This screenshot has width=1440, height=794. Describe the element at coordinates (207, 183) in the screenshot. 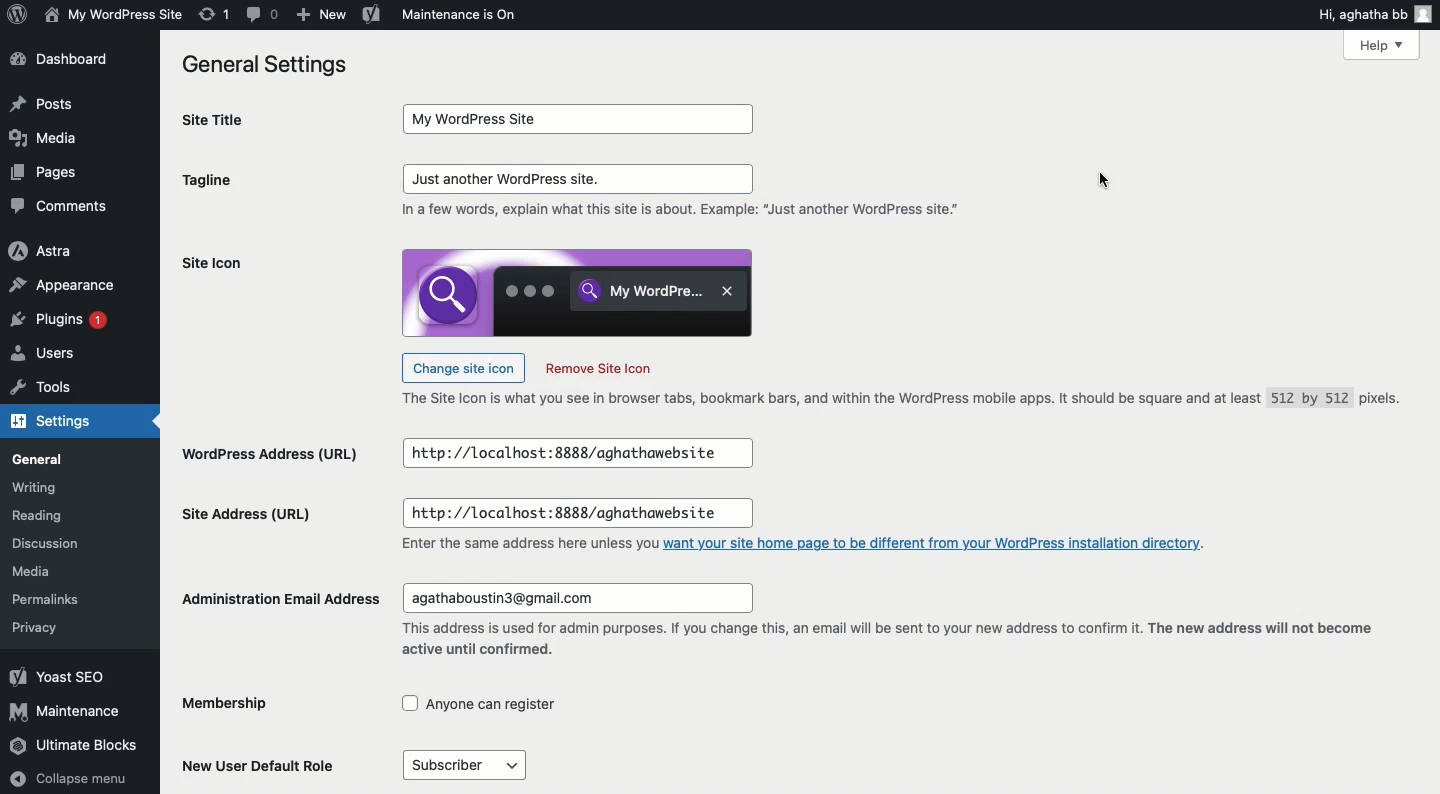

I see `tagline` at that location.